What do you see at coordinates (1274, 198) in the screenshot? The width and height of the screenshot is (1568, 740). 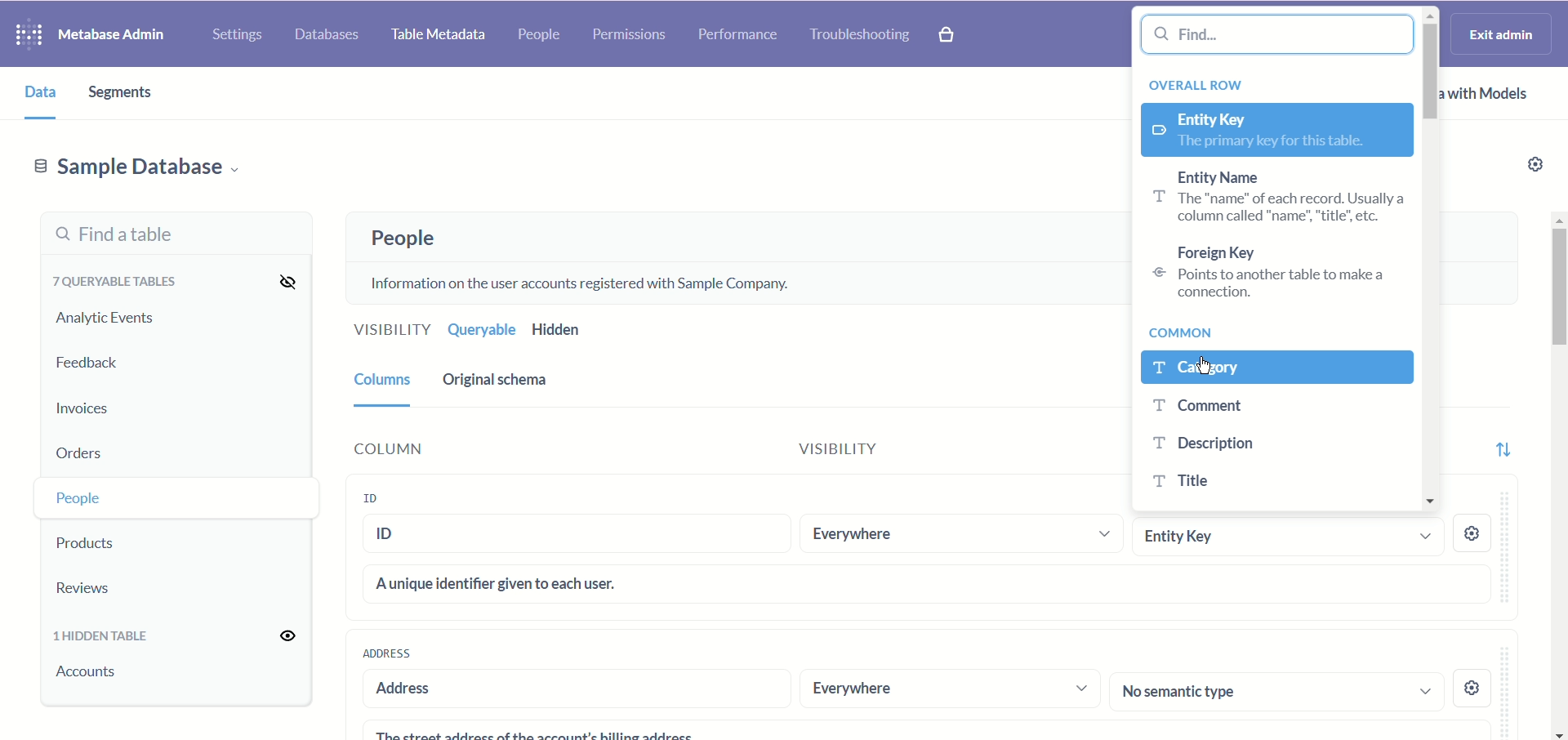 I see `Entity Name
T The "name" of each record. Usually a
column called “name”, “title”, etc.` at bounding box center [1274, 198].